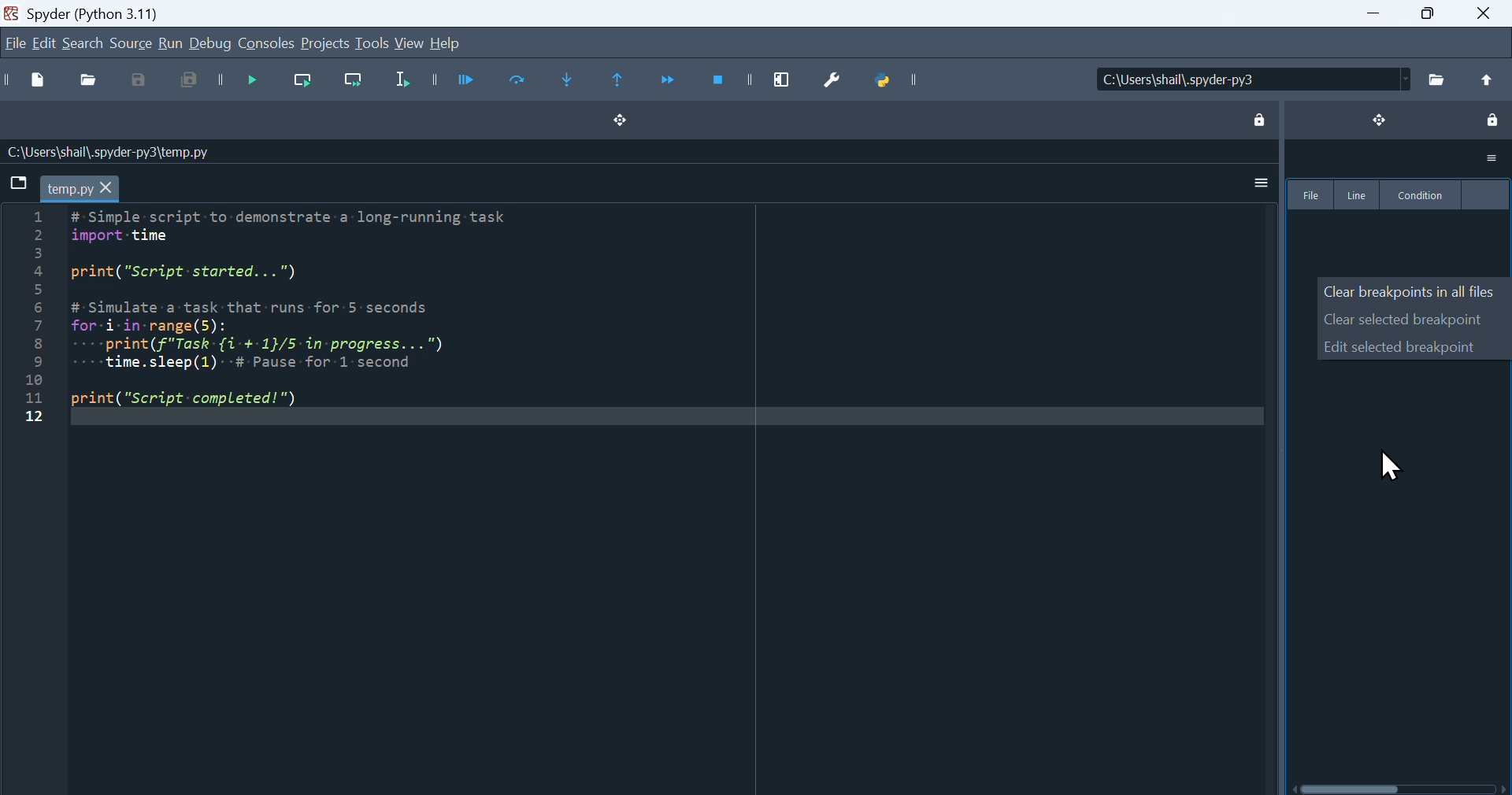 Image resolution: width=1512 pixels, height=795 pixels. I want to click on , so click(45, 41).